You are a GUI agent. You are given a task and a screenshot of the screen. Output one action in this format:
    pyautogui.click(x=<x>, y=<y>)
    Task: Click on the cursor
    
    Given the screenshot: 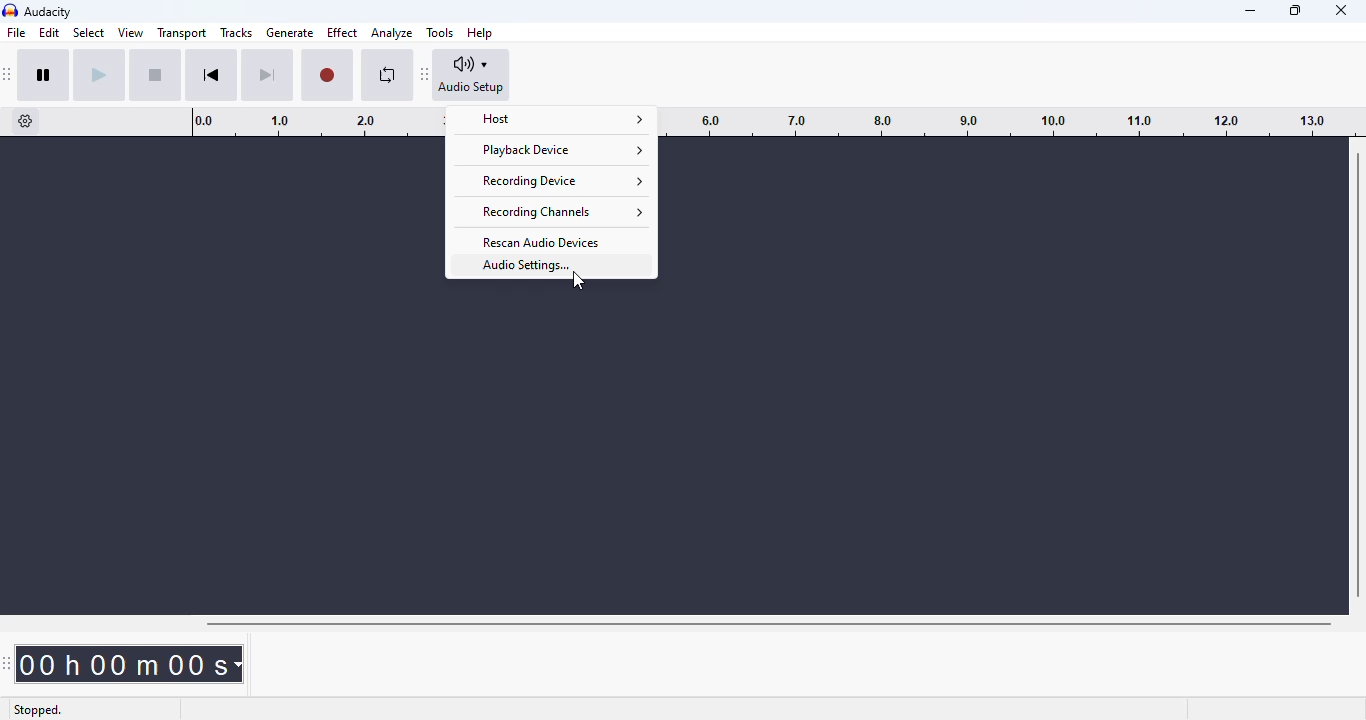 What is the action you would take?
    pyautogui.click(x=577, y=280)
    